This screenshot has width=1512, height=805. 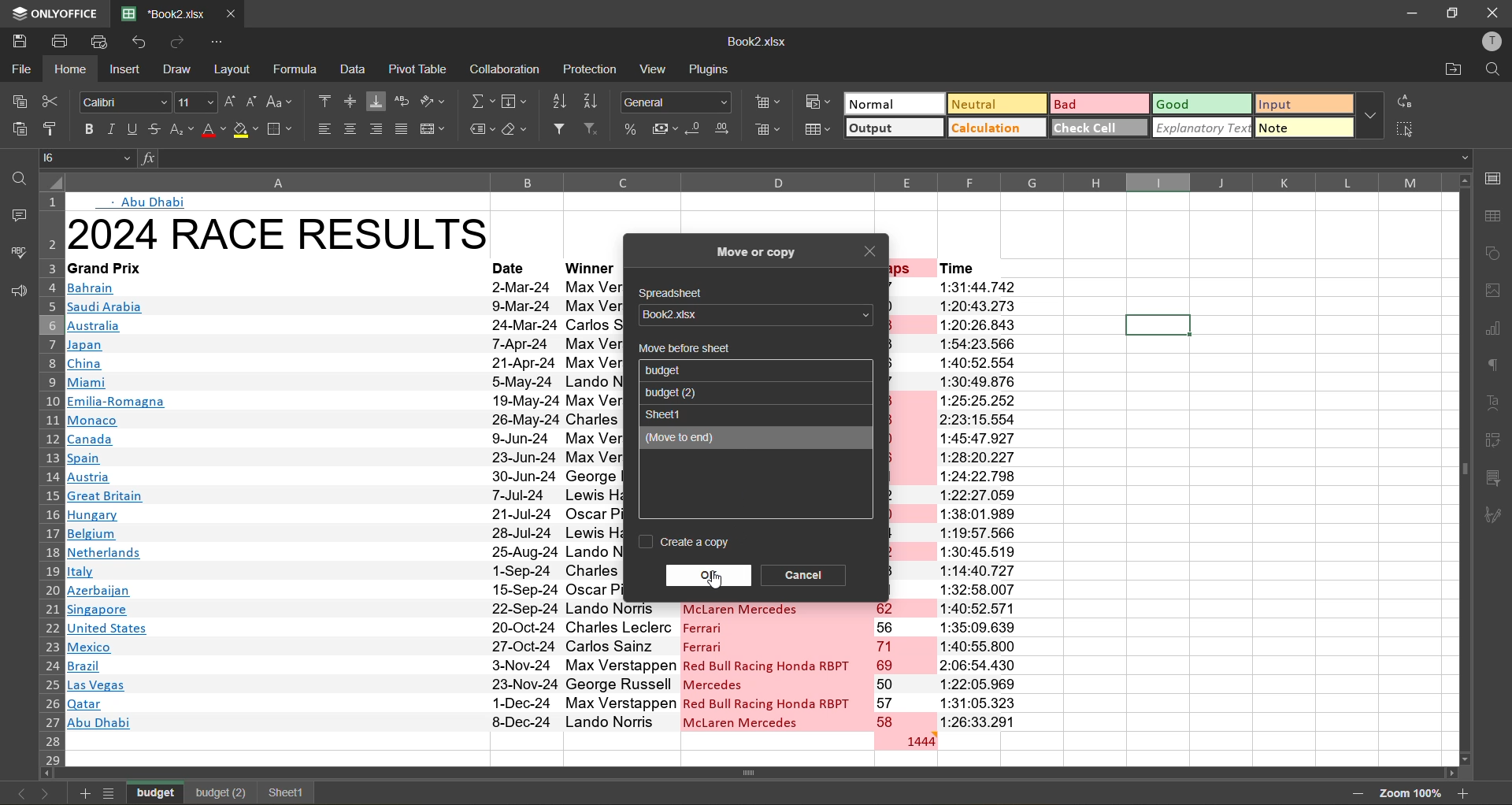 I want to click on sort ascending, so click(x=563, y=101).